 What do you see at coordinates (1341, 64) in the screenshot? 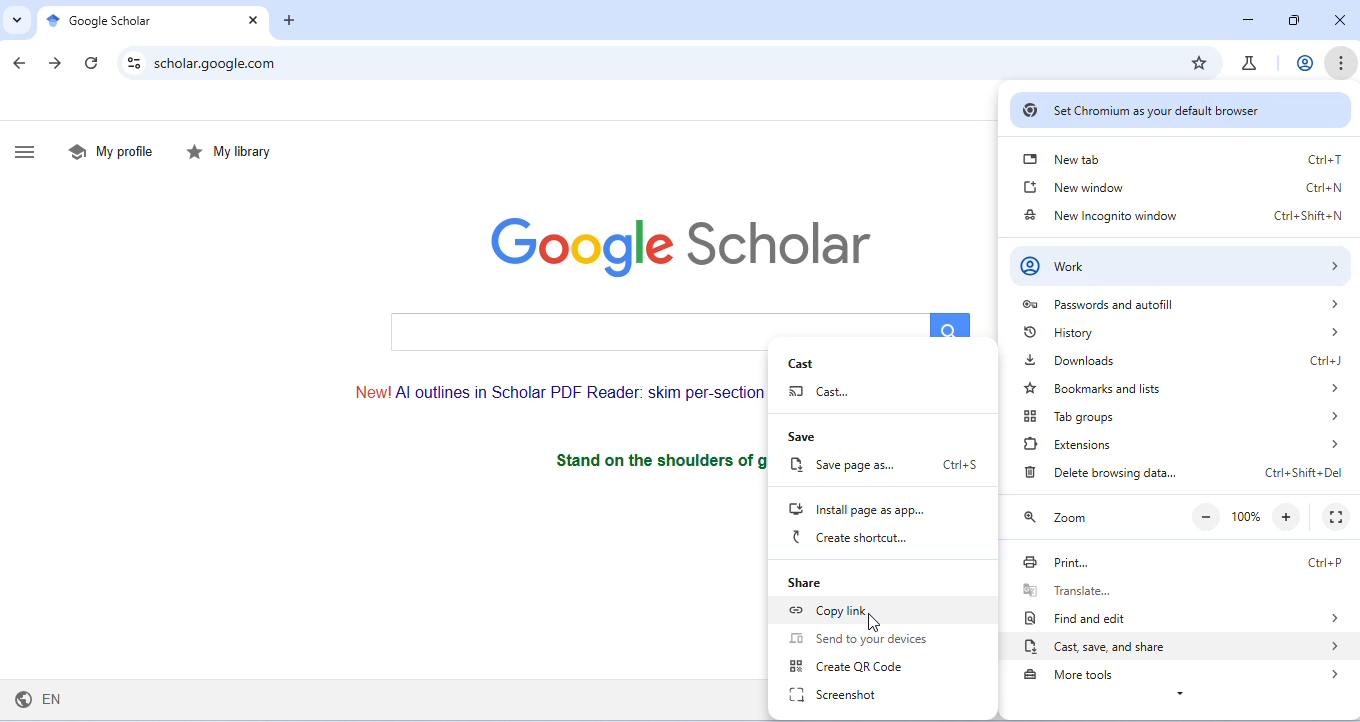
I see `customize and control chromium` at bounding box center [1341, 64].